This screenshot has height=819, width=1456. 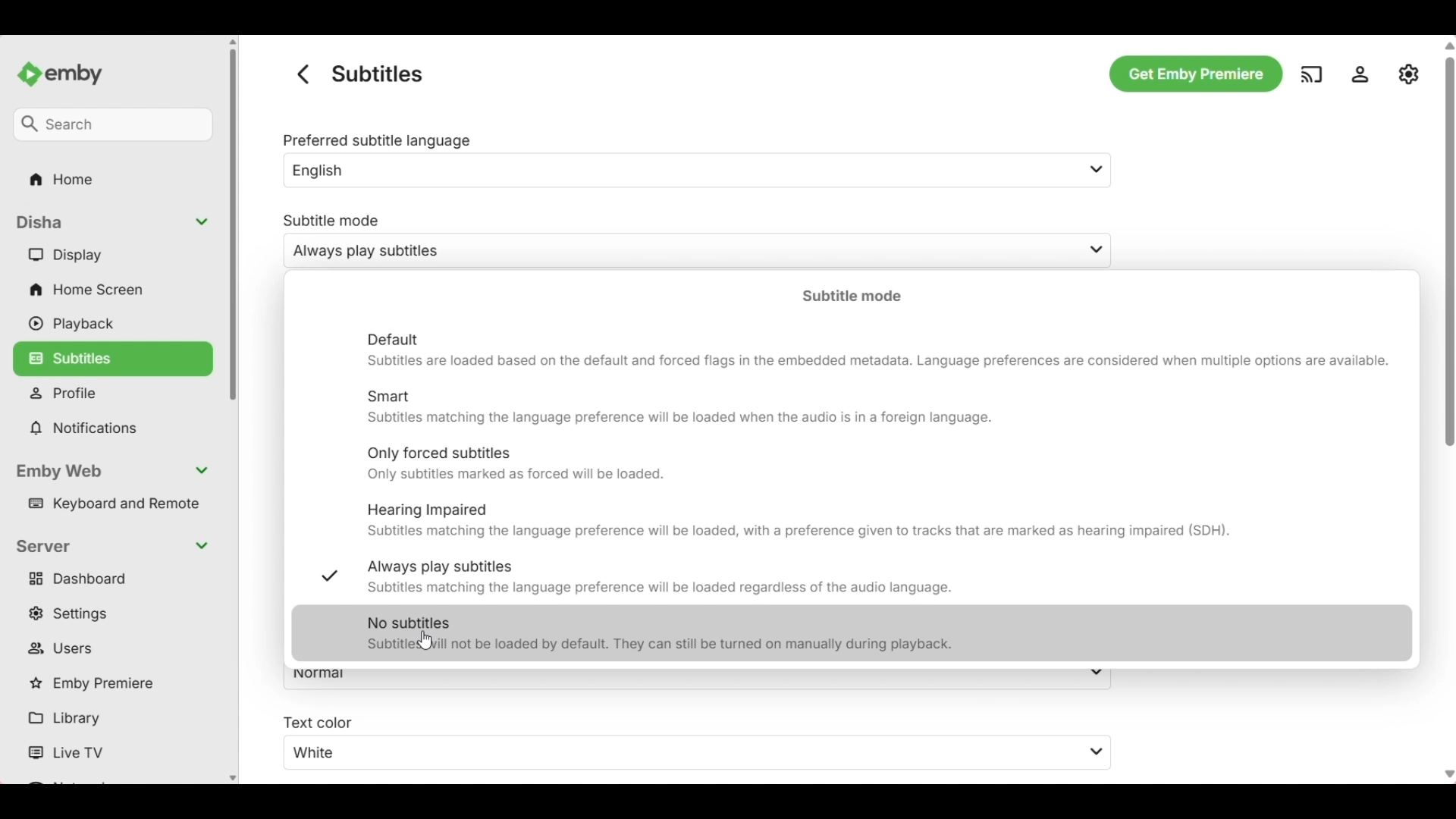 What do you see at coordinates (111, 122) in the screenshot?
I see `` at bounding box center [111, 122].